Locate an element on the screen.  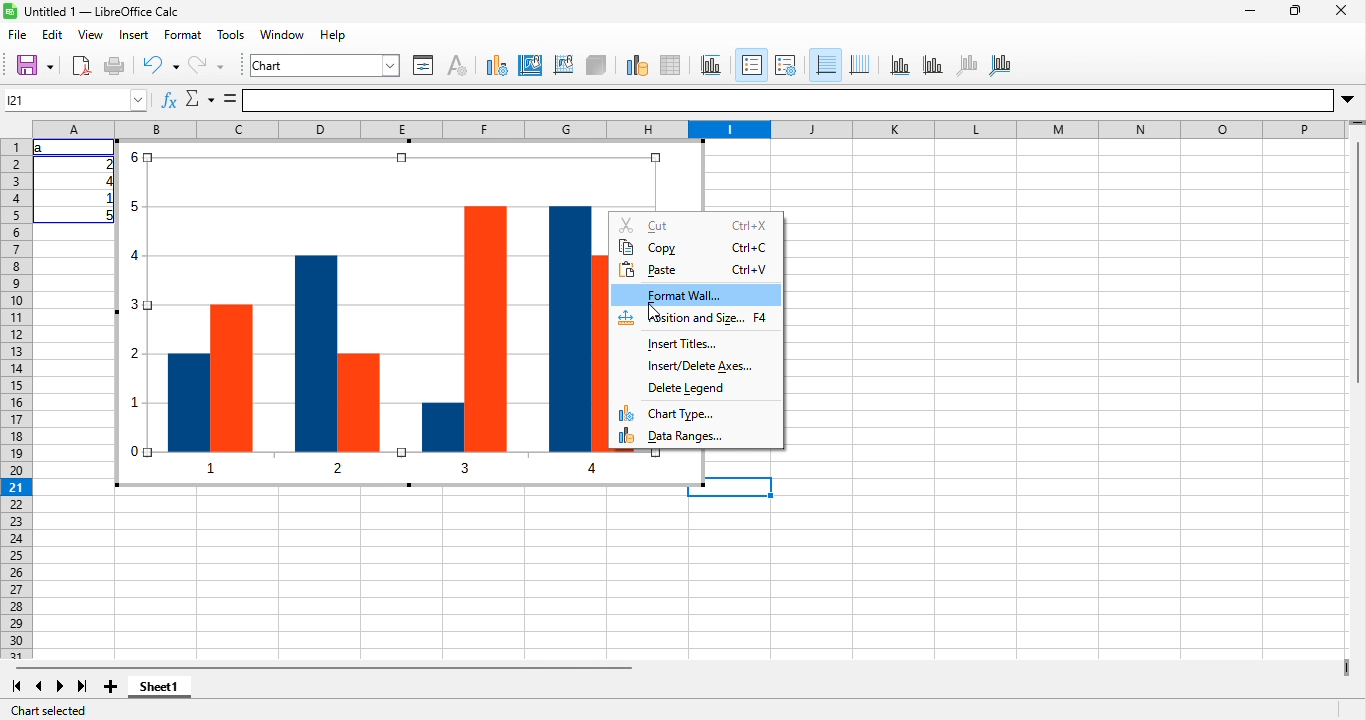
all axes is located at coordinates (999, 67).